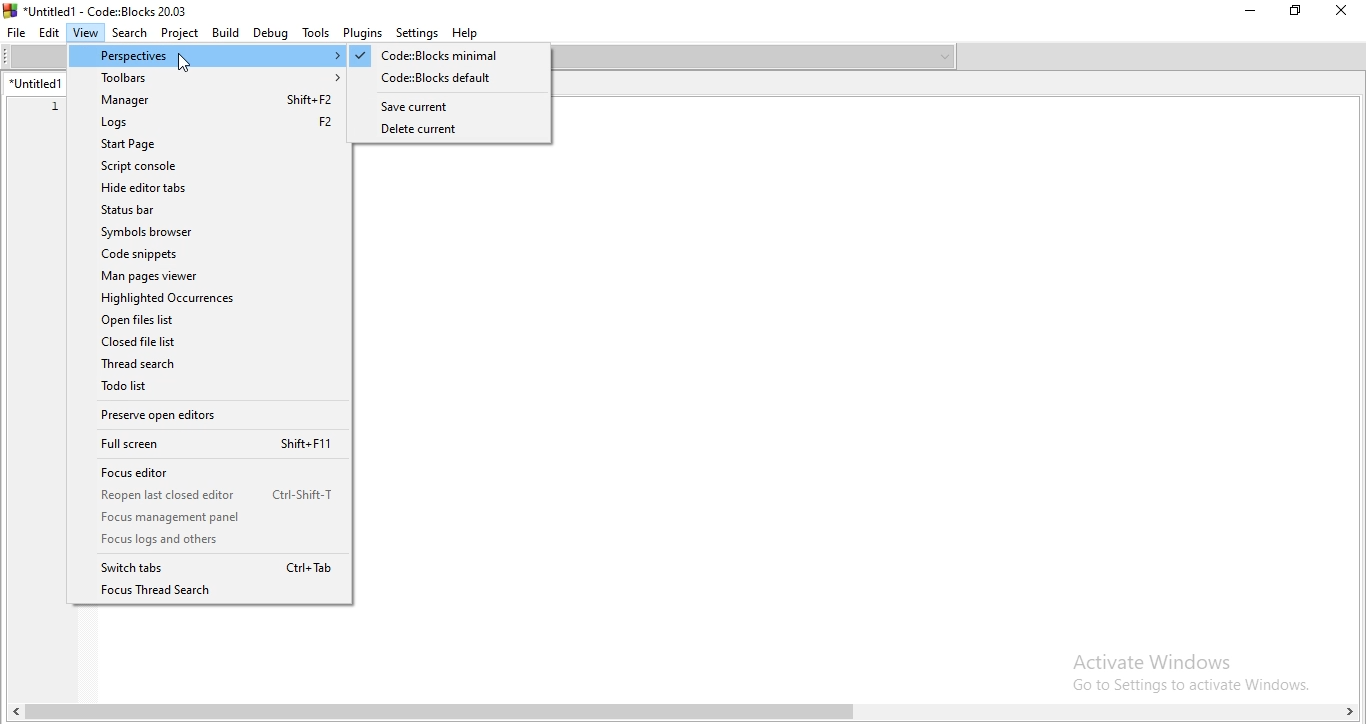 This screenshot has height=724, width=1366. I want to click on Focus Thread Search, so click(211, 595).